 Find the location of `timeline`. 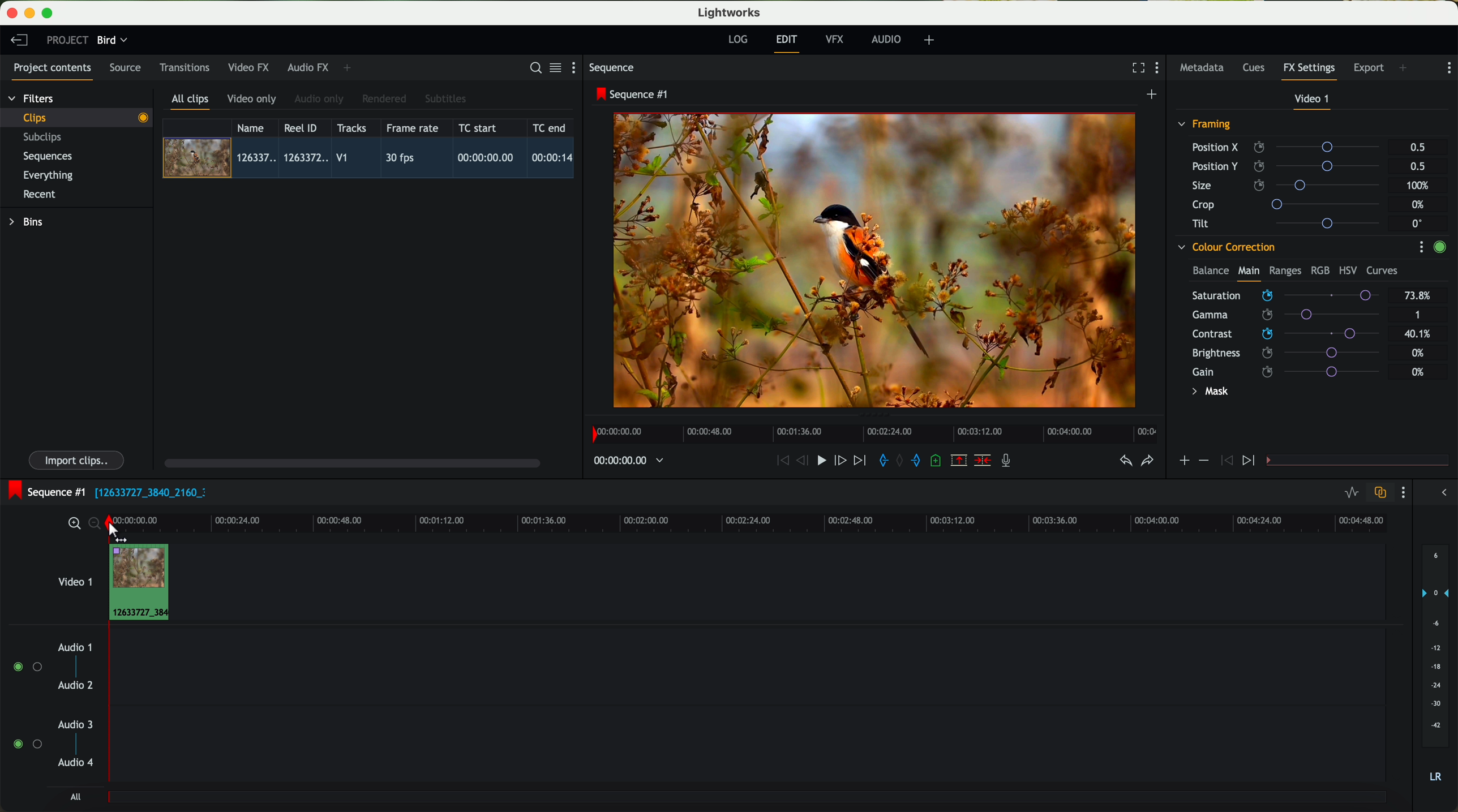

timeline is located at coordinates (623, 461).